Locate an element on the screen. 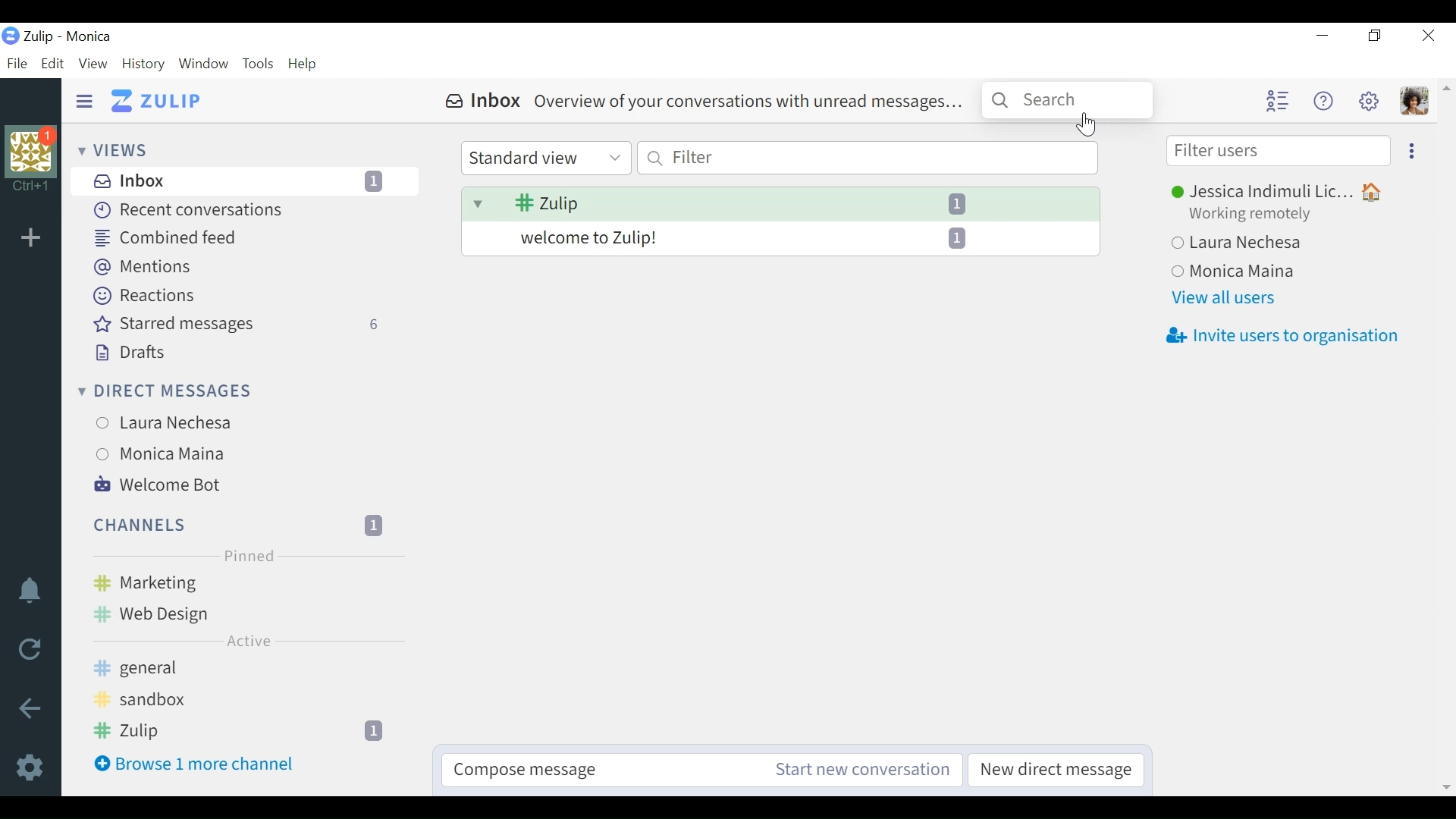 Image resolution: width=1456 pixels, height=819 pixels. Window is located at coordinates (204, 64).